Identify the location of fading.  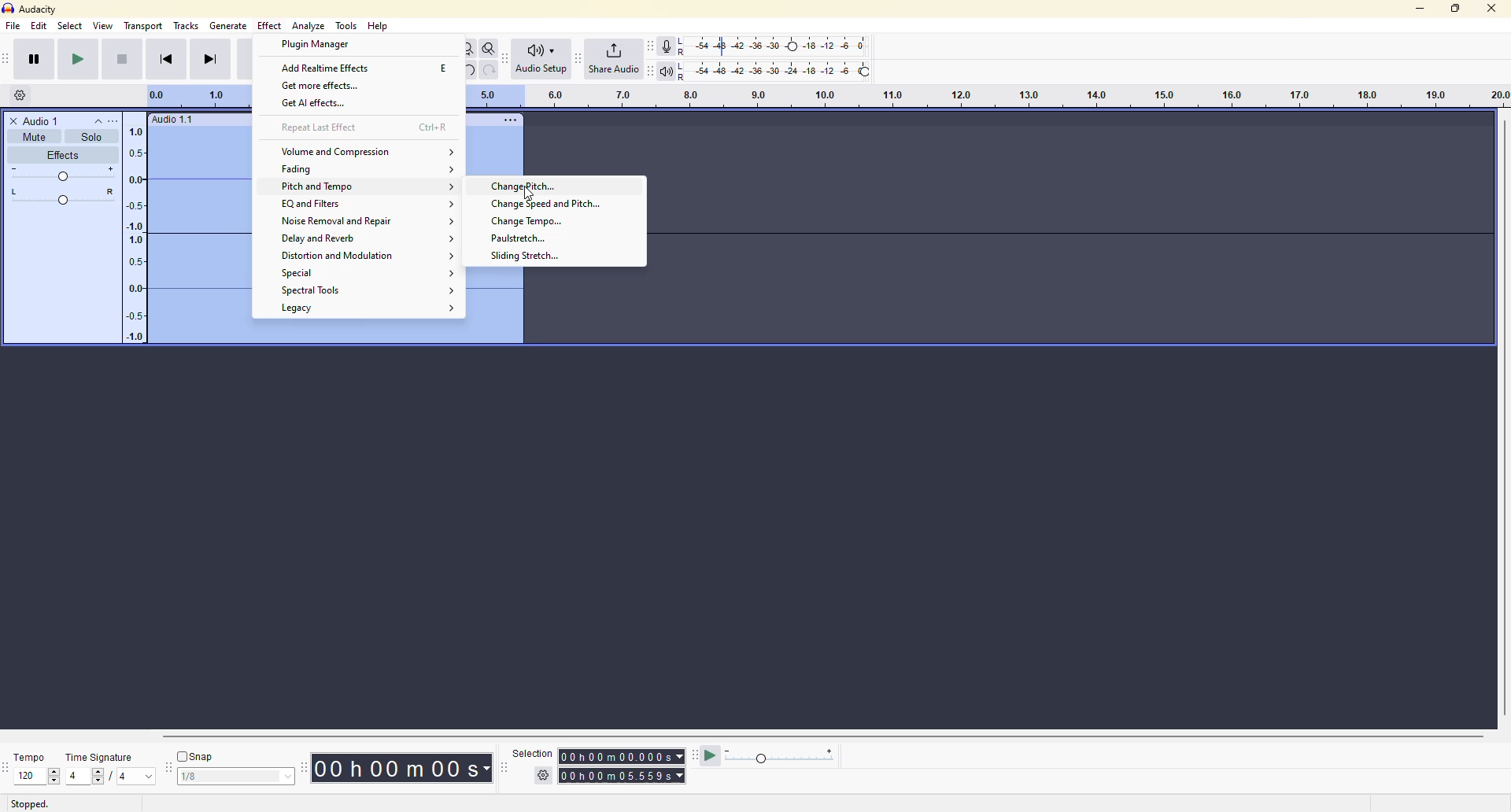
(300, 169).